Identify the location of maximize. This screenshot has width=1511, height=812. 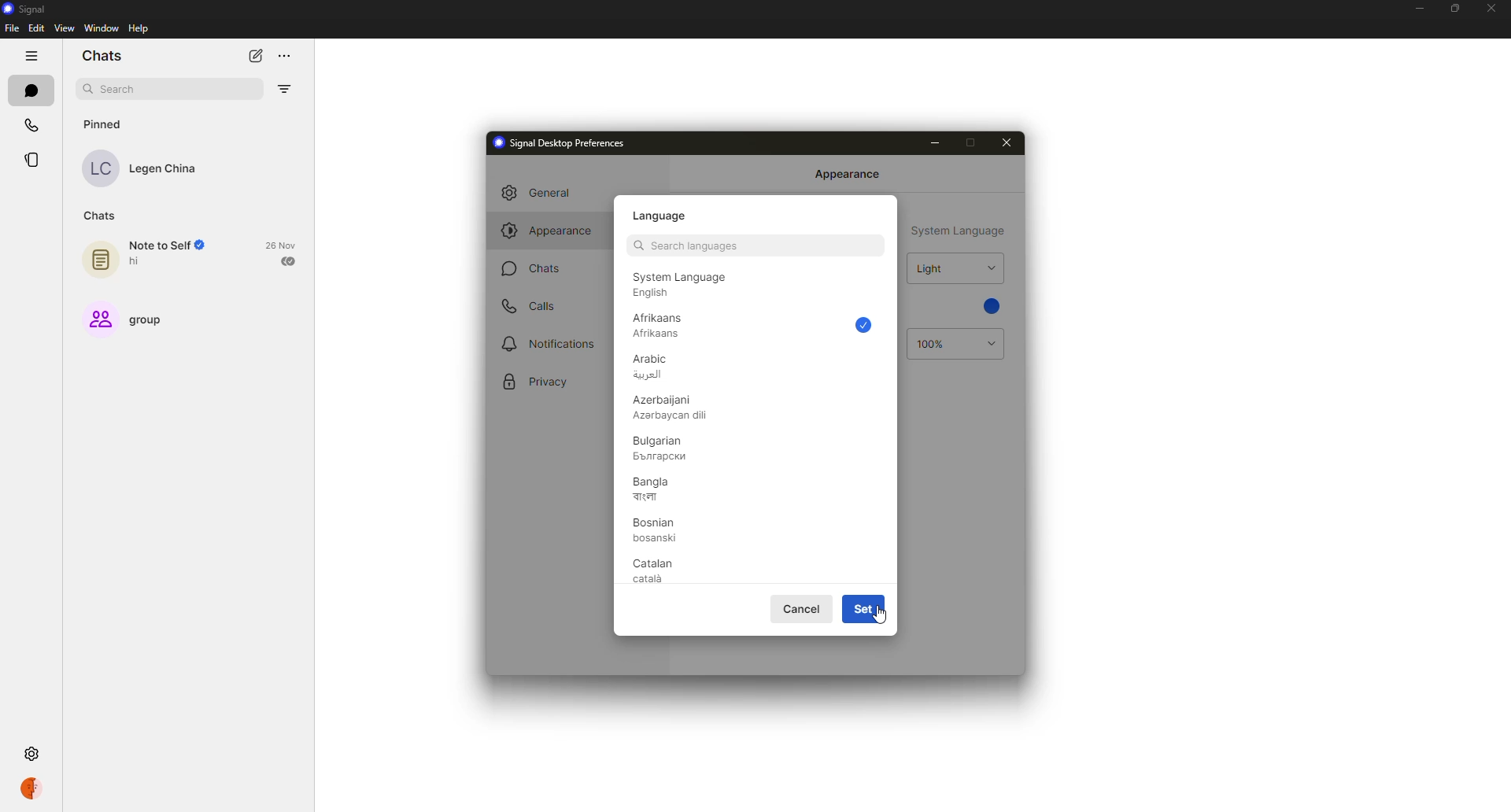
(1452, 9).